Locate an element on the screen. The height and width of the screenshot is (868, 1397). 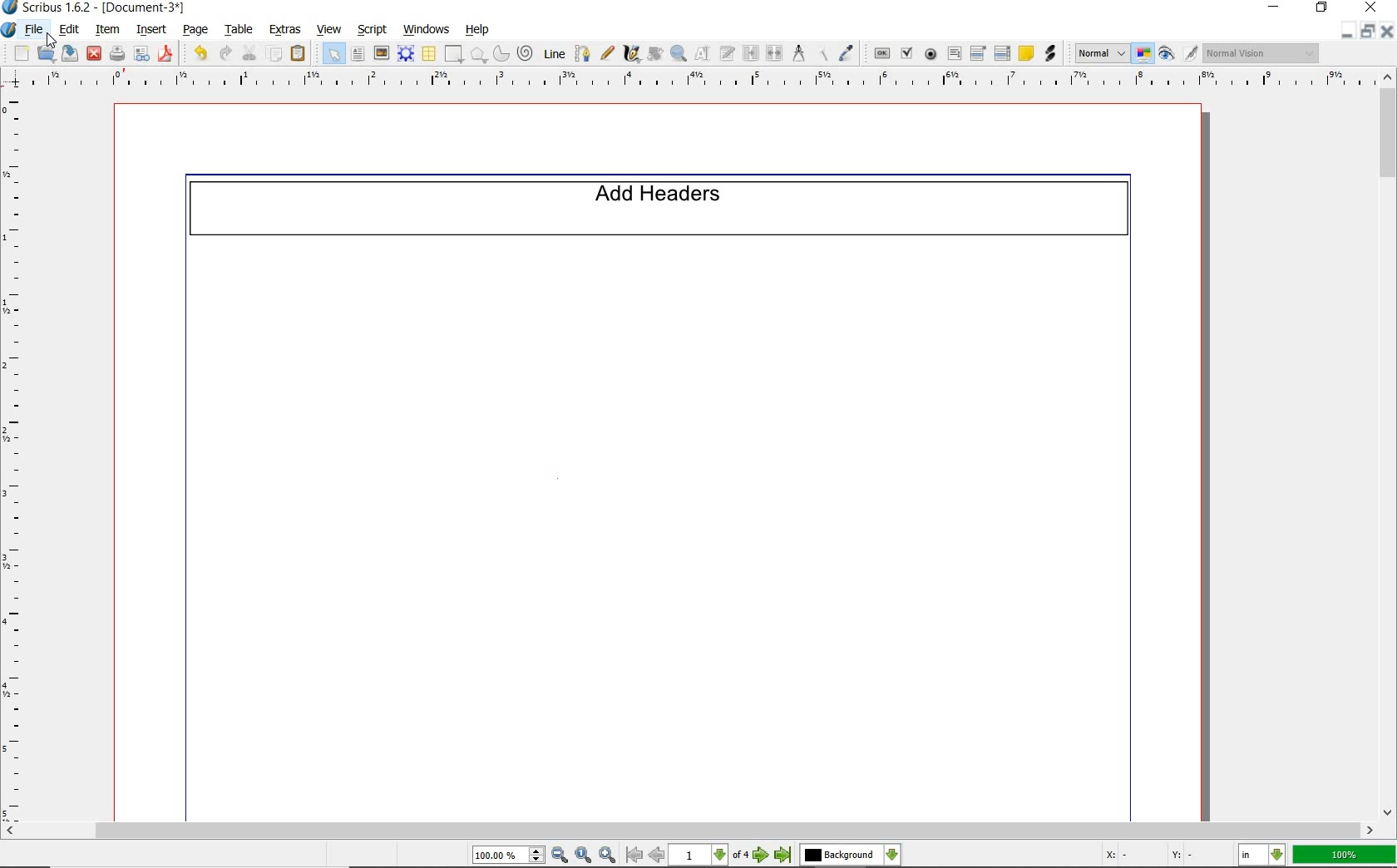
table is located at coordinates (237, 31).